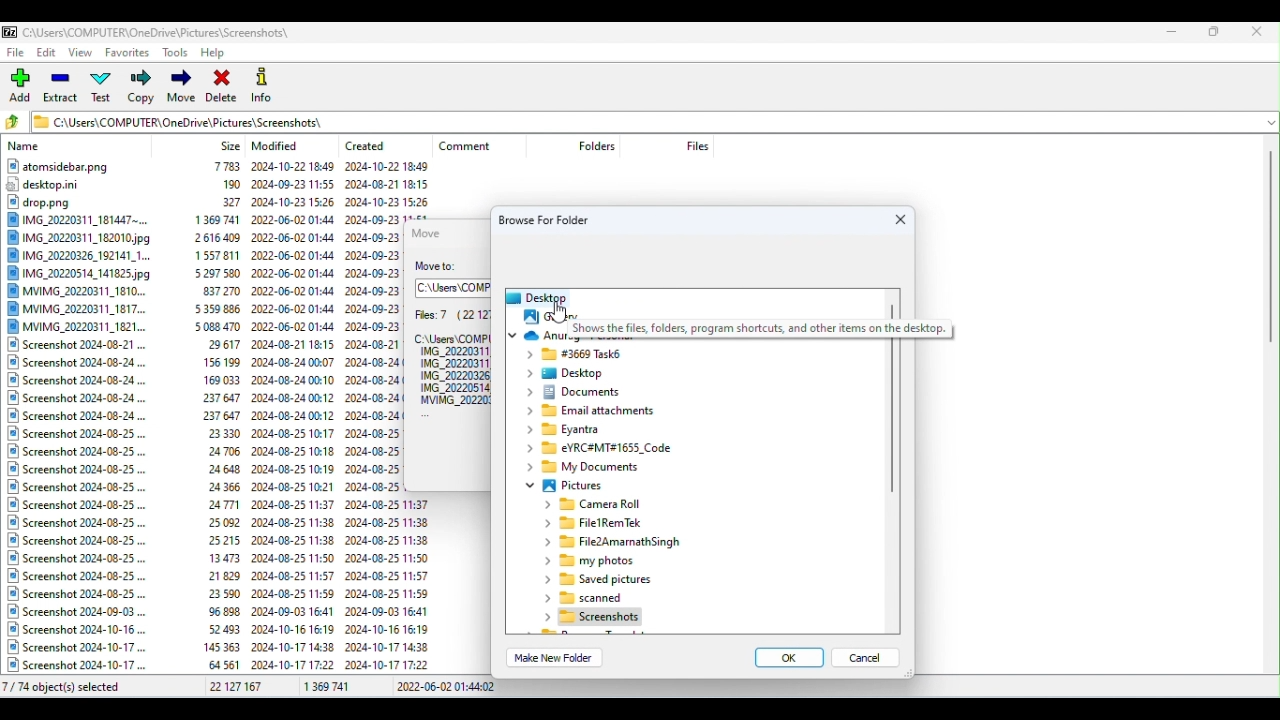  What do you see at coordinates (372, 142) in the screenshot?
I see `Created` at bounding box center [372, 142].